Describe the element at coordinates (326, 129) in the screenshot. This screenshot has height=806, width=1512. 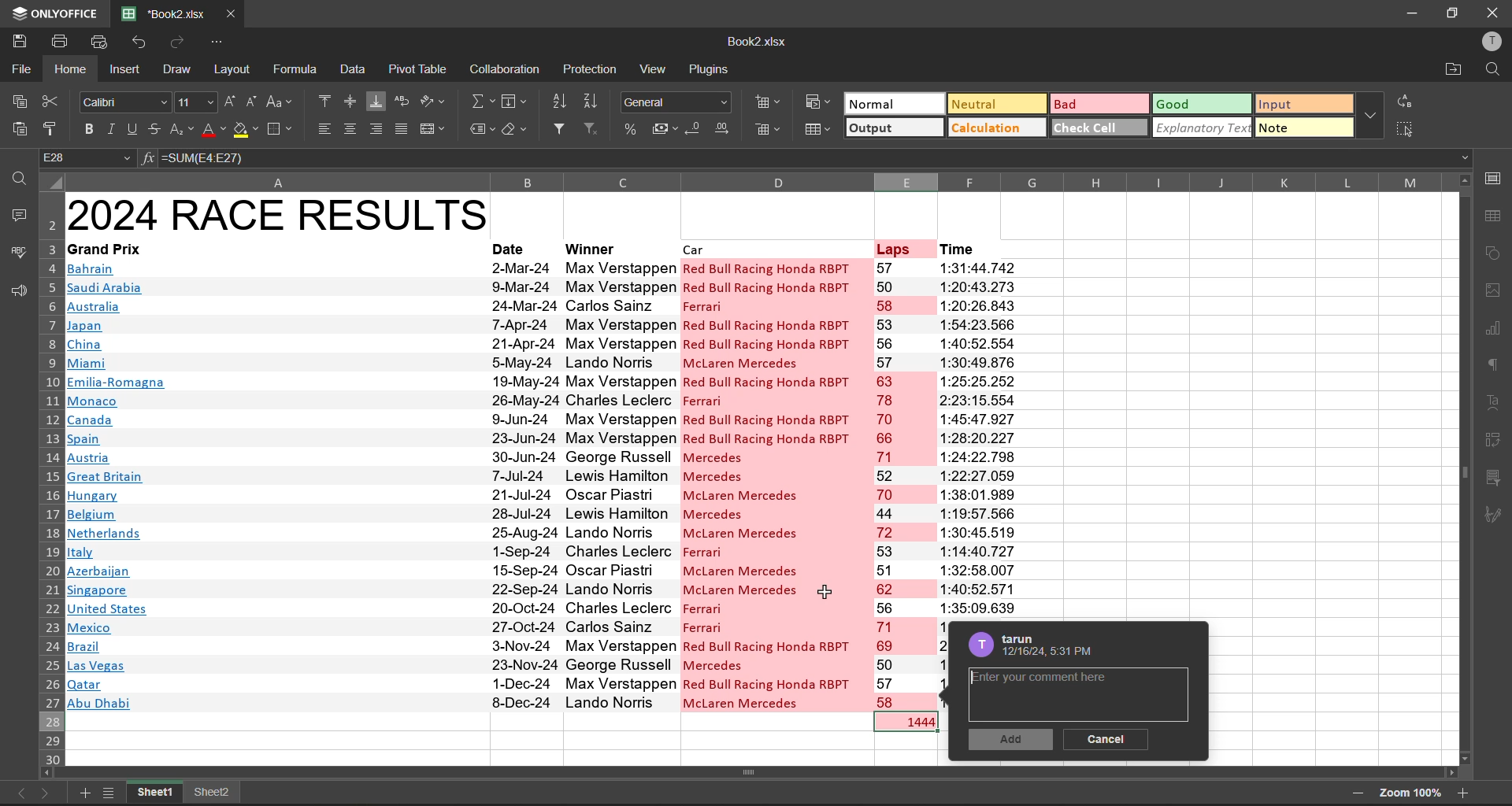
I see `align left` at that location.